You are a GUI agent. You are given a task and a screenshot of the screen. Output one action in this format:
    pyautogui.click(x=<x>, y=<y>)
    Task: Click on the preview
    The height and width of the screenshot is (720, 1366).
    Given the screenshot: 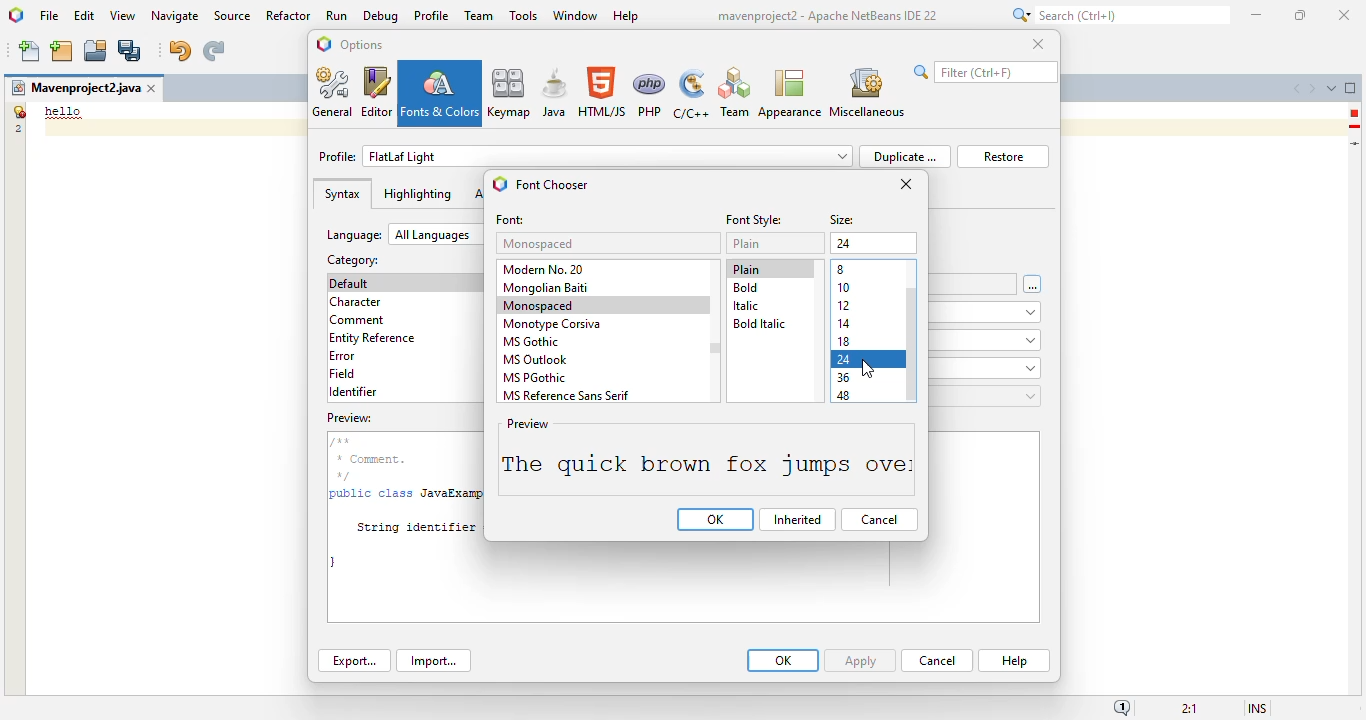 What is the action you would take?
    pyautogui.click(x=681, y=584)
    